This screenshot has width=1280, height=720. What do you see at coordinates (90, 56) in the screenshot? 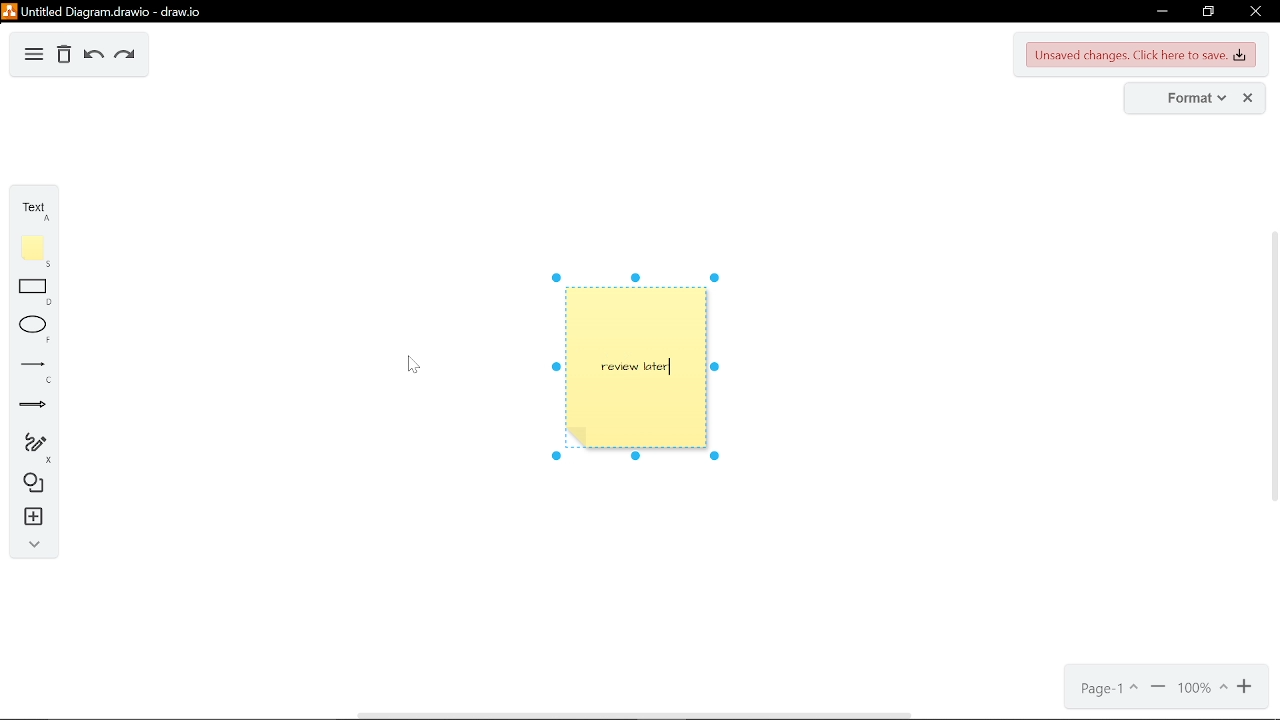
I see `undo` at bounding box center [90, 56].